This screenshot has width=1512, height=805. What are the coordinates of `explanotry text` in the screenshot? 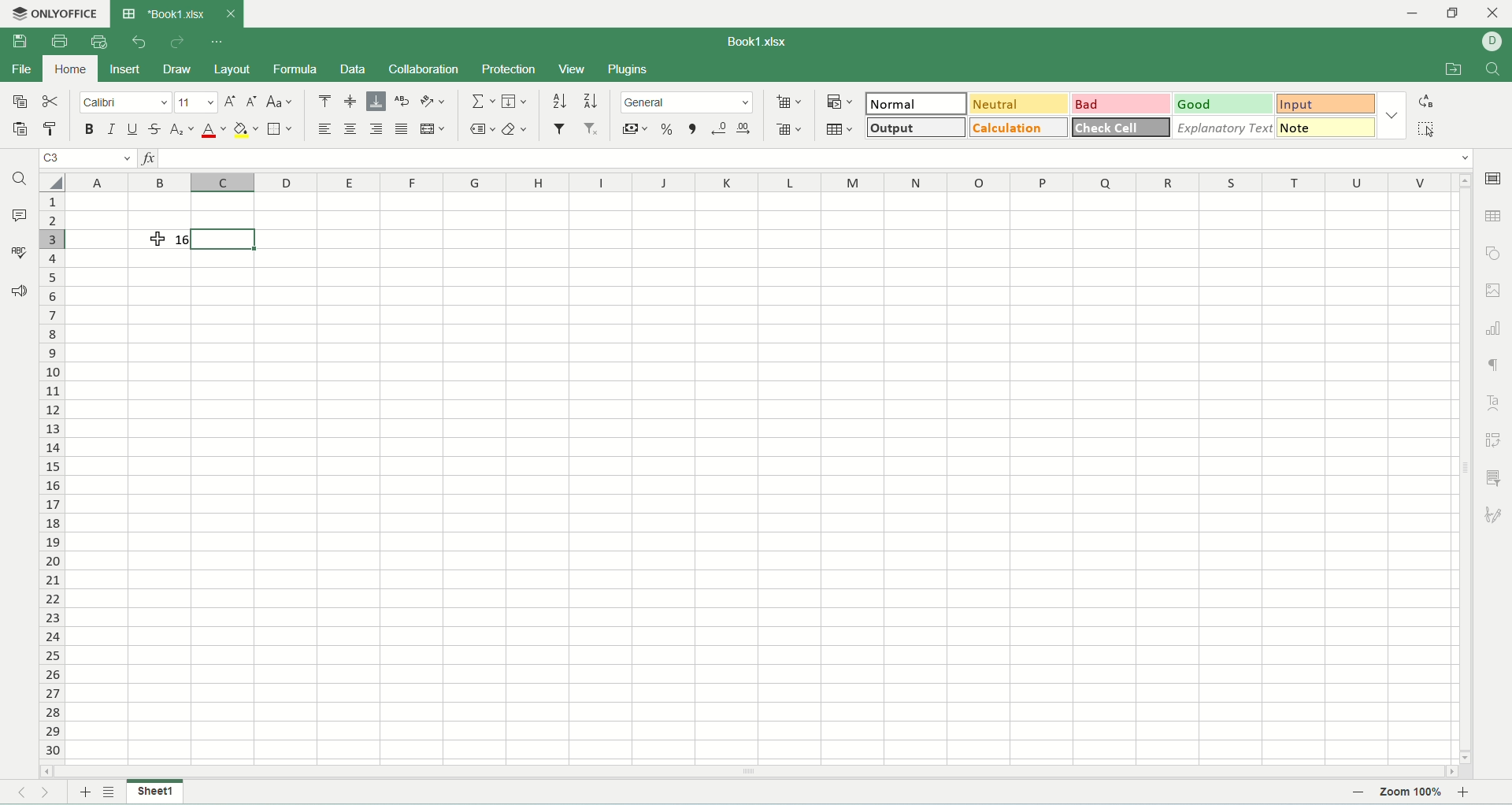 It's located at (1225, 128).